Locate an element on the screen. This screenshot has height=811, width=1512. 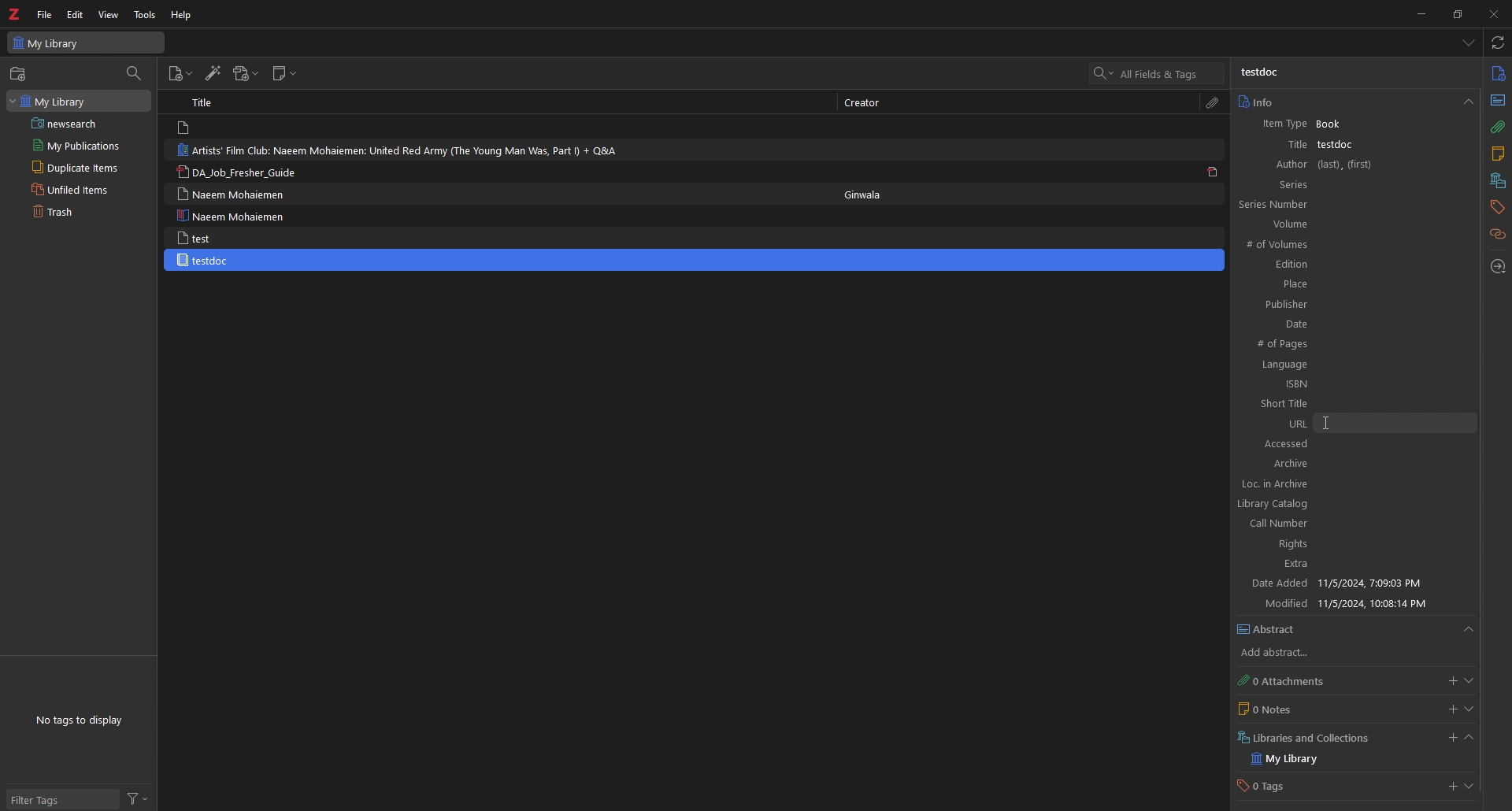
Creator is located at coordinates (869, 102).